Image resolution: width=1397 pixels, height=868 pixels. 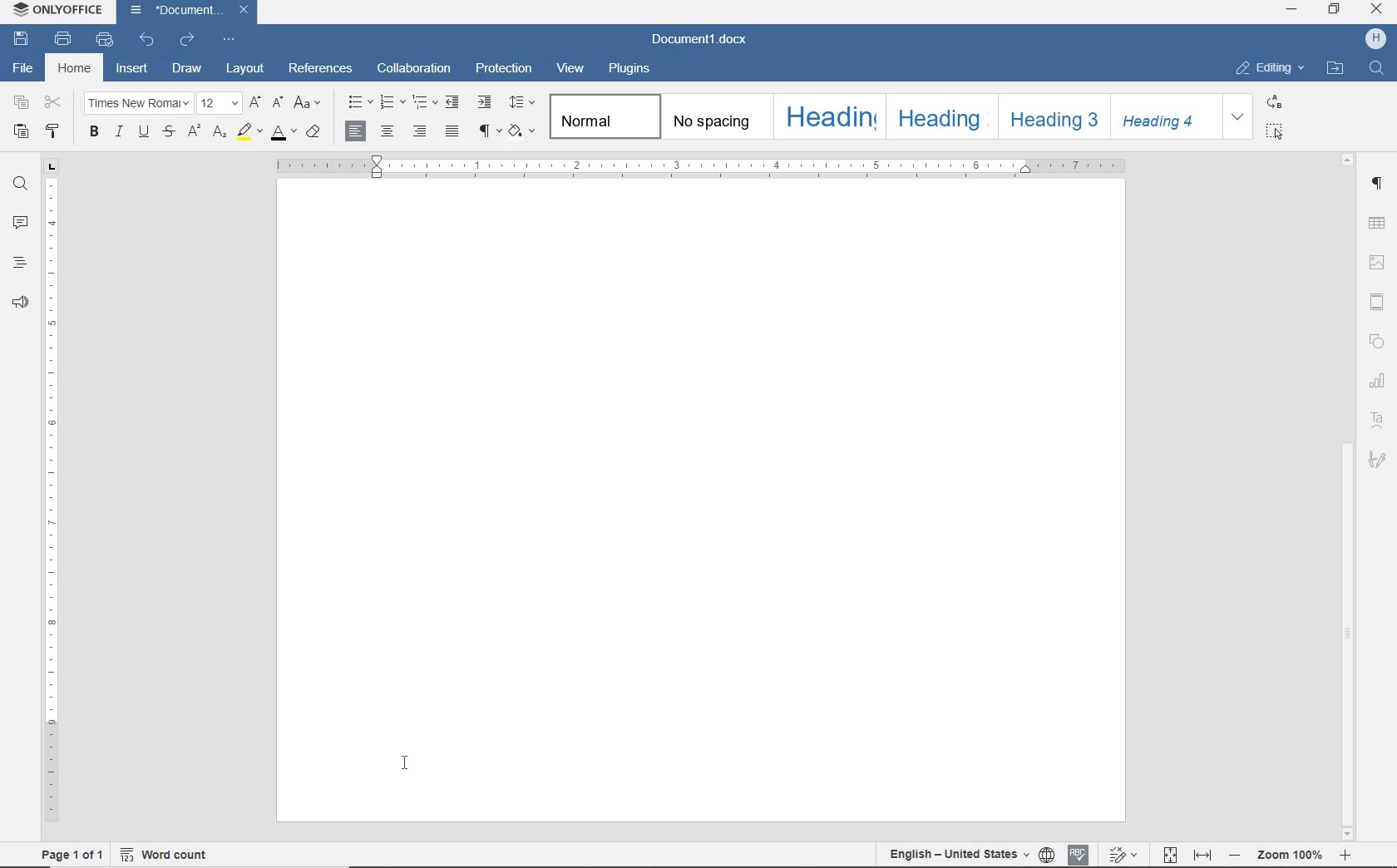 What do you see at coordinates (106, 41) in the screenshot?
I see `quick print` at bounding box center [106, 41].